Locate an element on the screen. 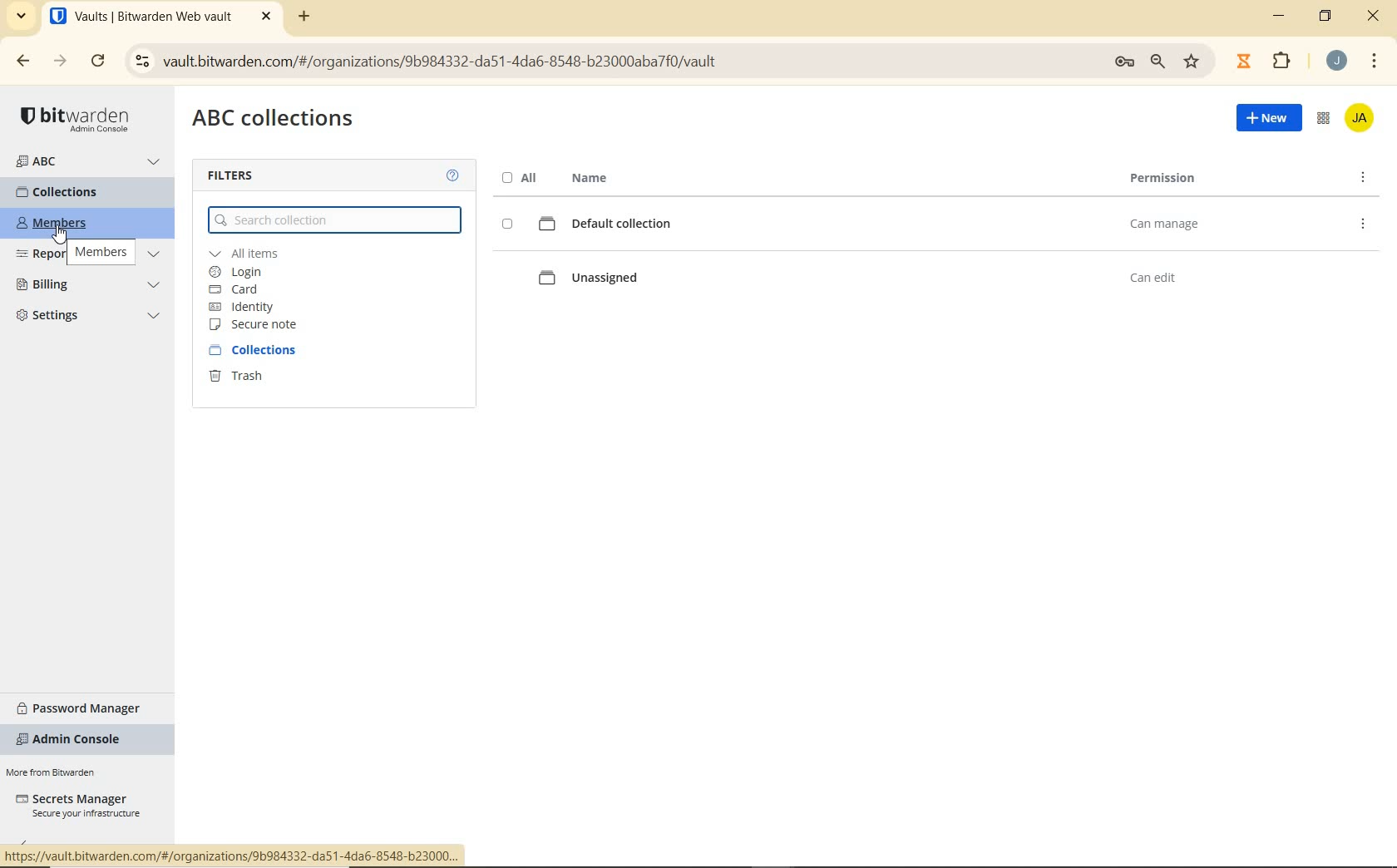  BITWARDEN WEB VAULT is located at coordinates (163, 18).